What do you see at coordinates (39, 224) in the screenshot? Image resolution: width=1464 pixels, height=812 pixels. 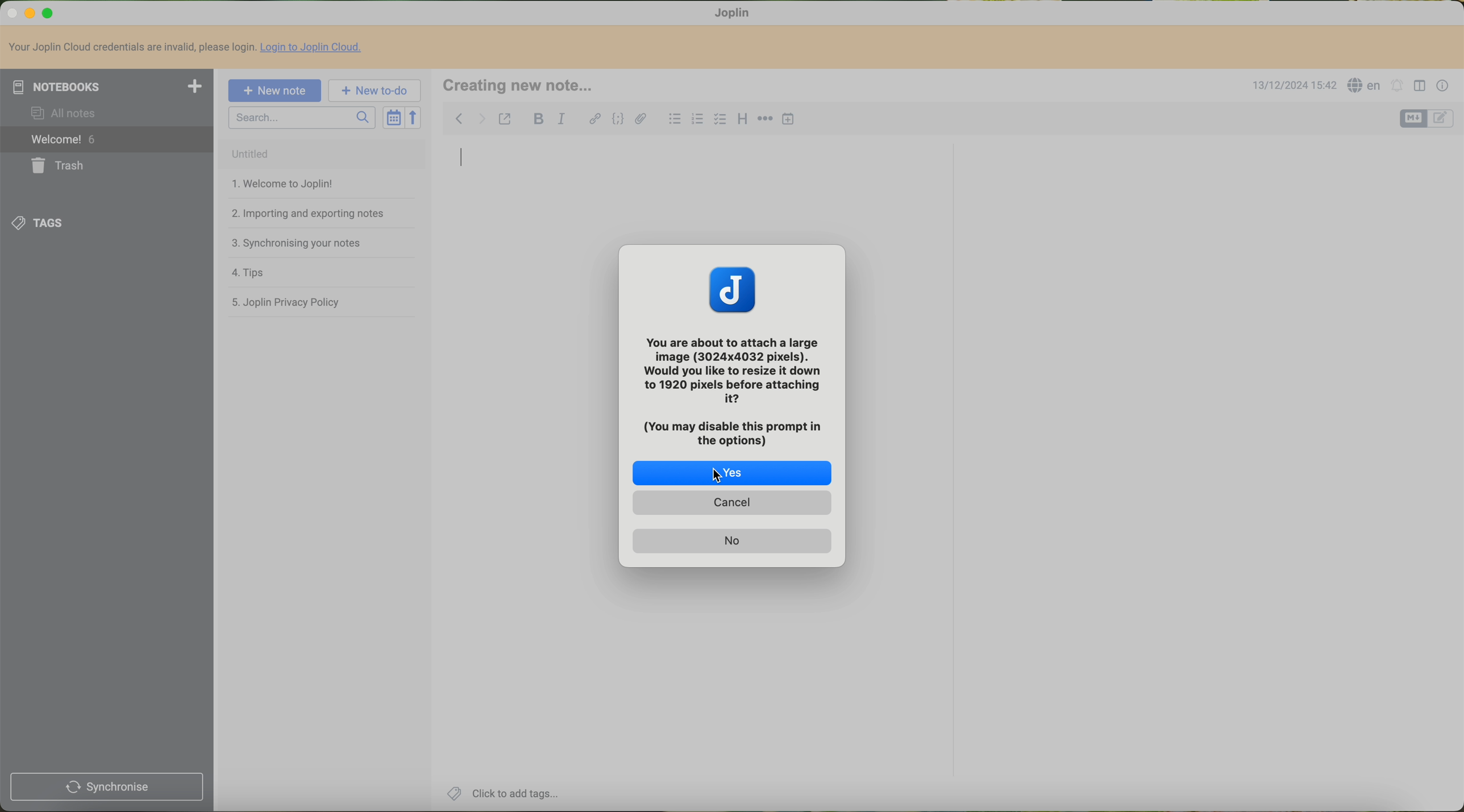 I see `tags` at bounding box center [39, 224].